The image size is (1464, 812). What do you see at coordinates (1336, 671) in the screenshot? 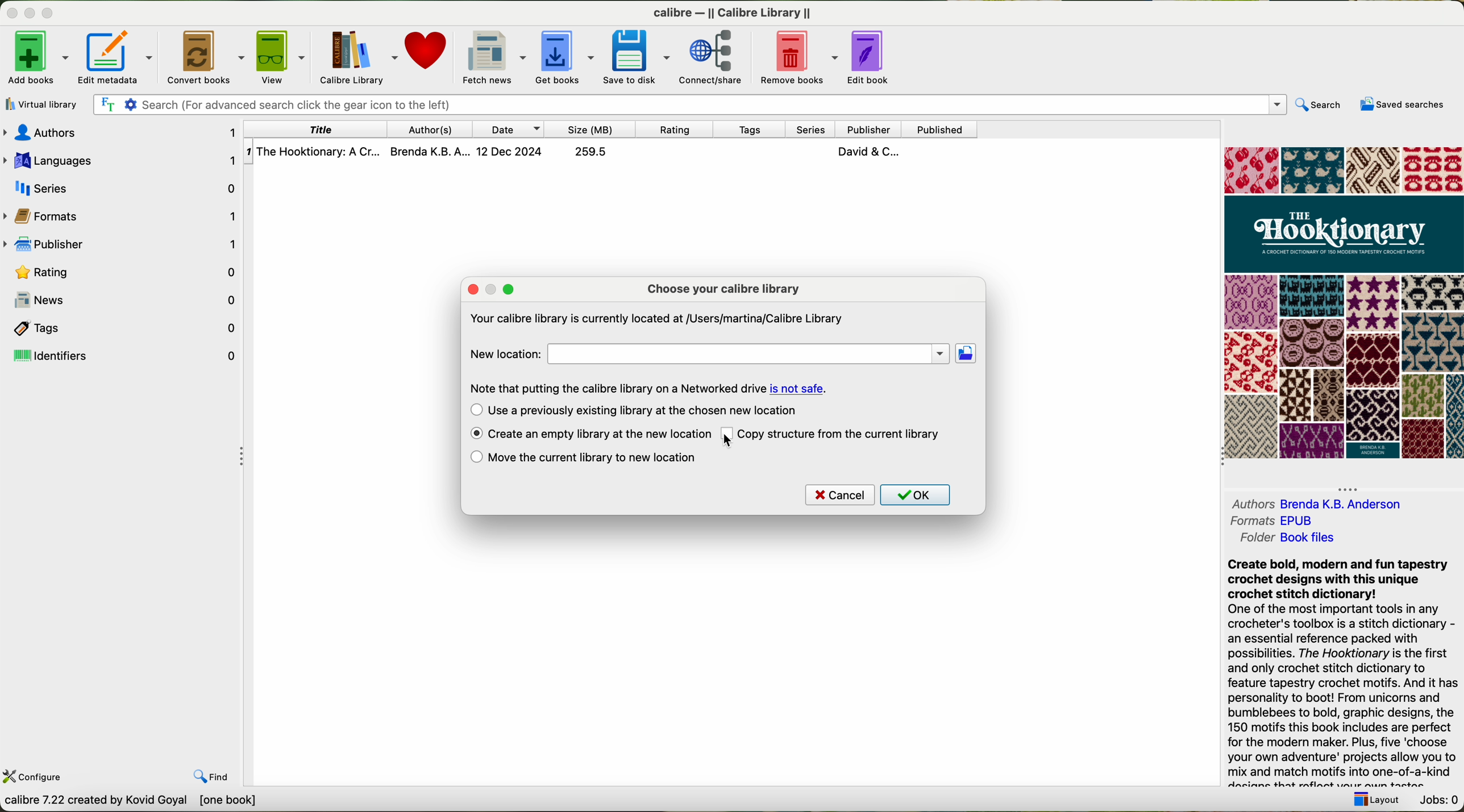
I see `Create bold, modern and fun tapestrycrochet designs with this uniquecrochet stitch dictionary!One of the most important tools in anycrocheter's toolbox is a stitch dictionary -an essential reference packed withpossibilities. The Hooktionary is the firstand only crochet stitch dictionary tofeature tapestry crochet motifs. And it haspersonality to boot! From unicorns andbumblebees to bold, graphic designs, the150 motifs this book includes are perfectfor the modern maker. Plus, five ‘chooseyour own adventure' projects allow you tomix and match motifs into one-of-a-kind` at bounding box center [1336, 671].